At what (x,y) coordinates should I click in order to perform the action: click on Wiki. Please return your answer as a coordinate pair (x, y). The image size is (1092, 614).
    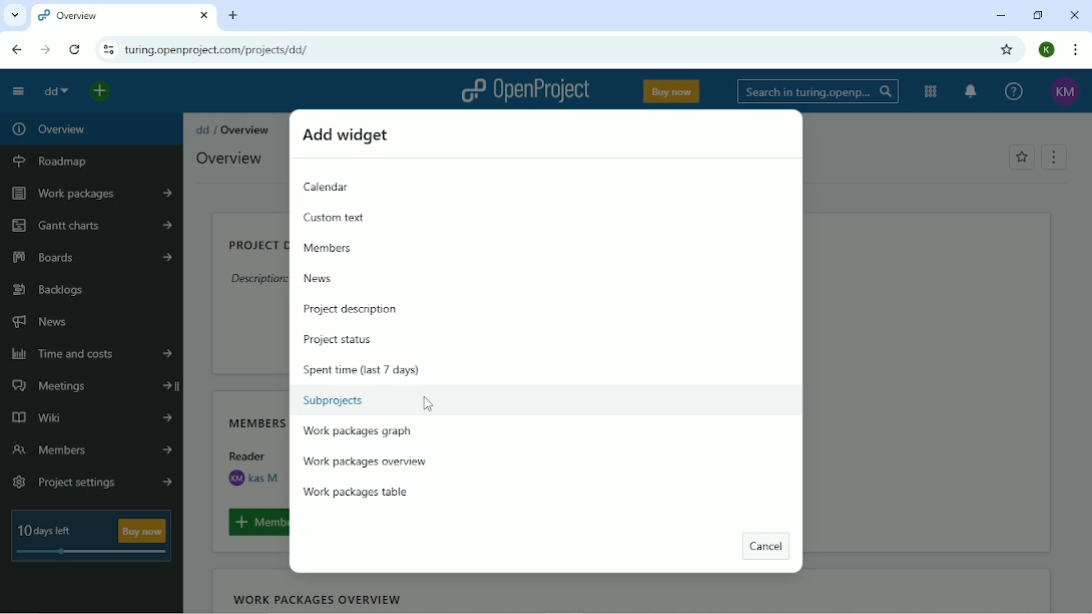
    Looking at the image, I should click on (92, 419).